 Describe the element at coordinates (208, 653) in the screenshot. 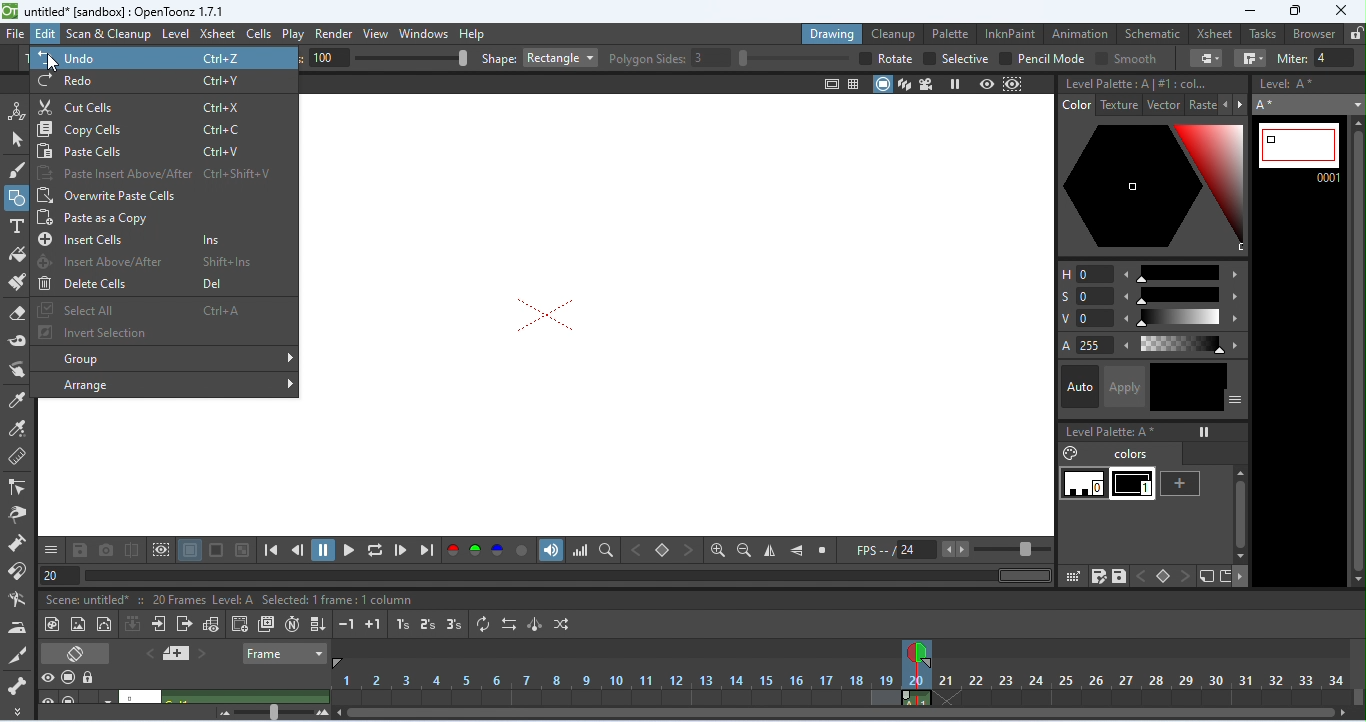

I see `next` at that location.